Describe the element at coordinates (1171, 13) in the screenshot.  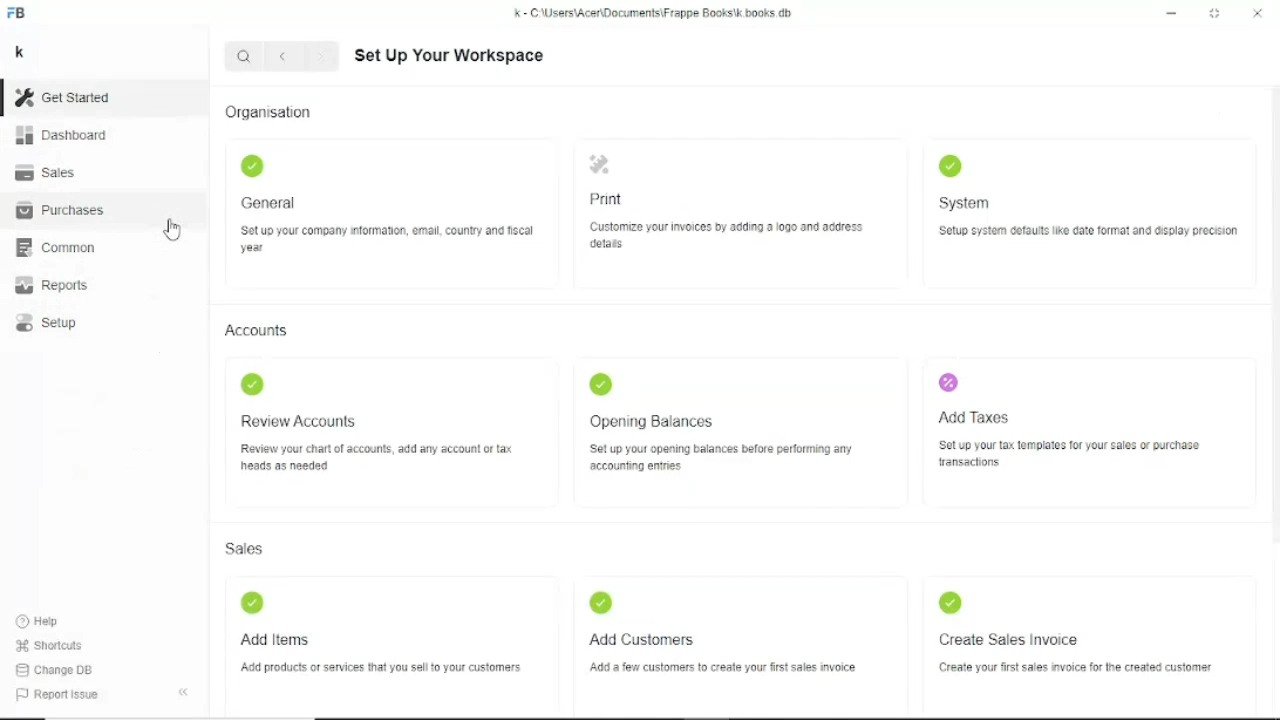
I see `Minimize` at that location.